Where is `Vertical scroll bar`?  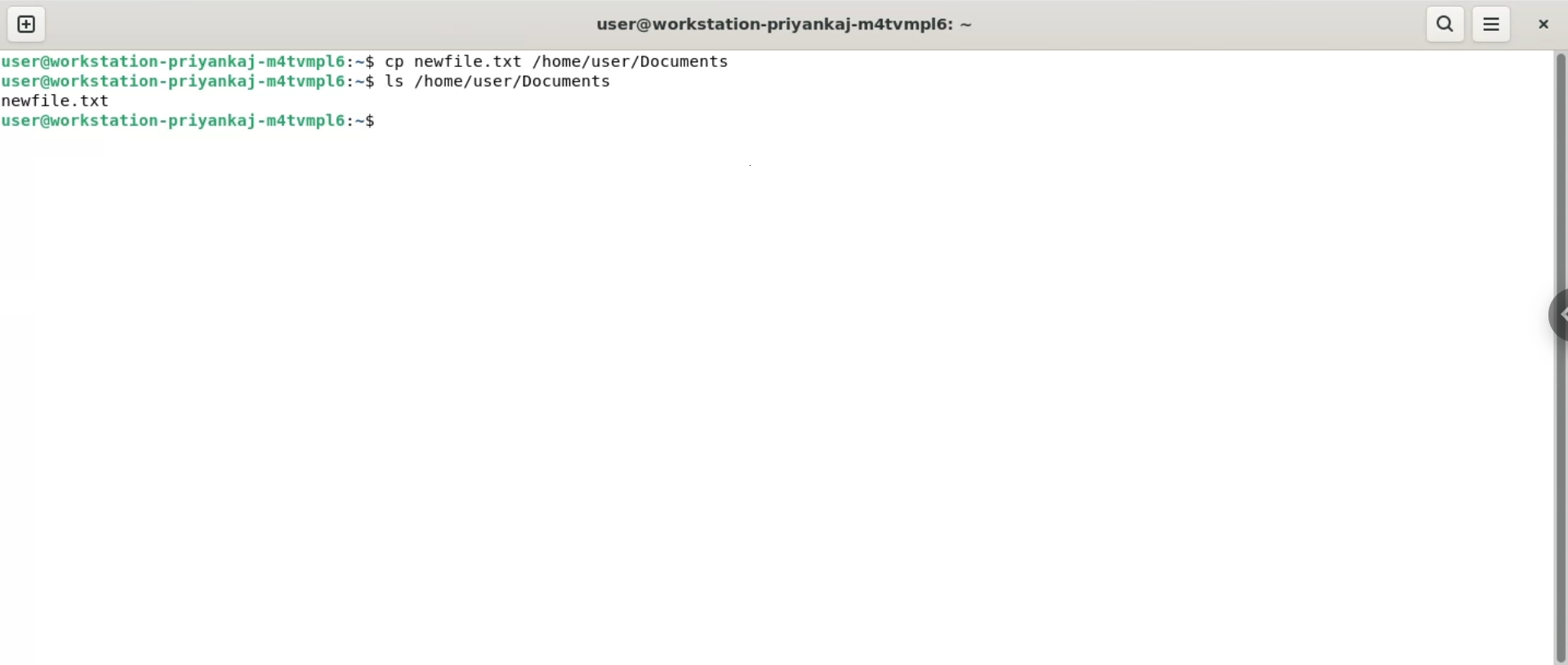 Vertical scroll bar is located at coordinates (1558, 358).